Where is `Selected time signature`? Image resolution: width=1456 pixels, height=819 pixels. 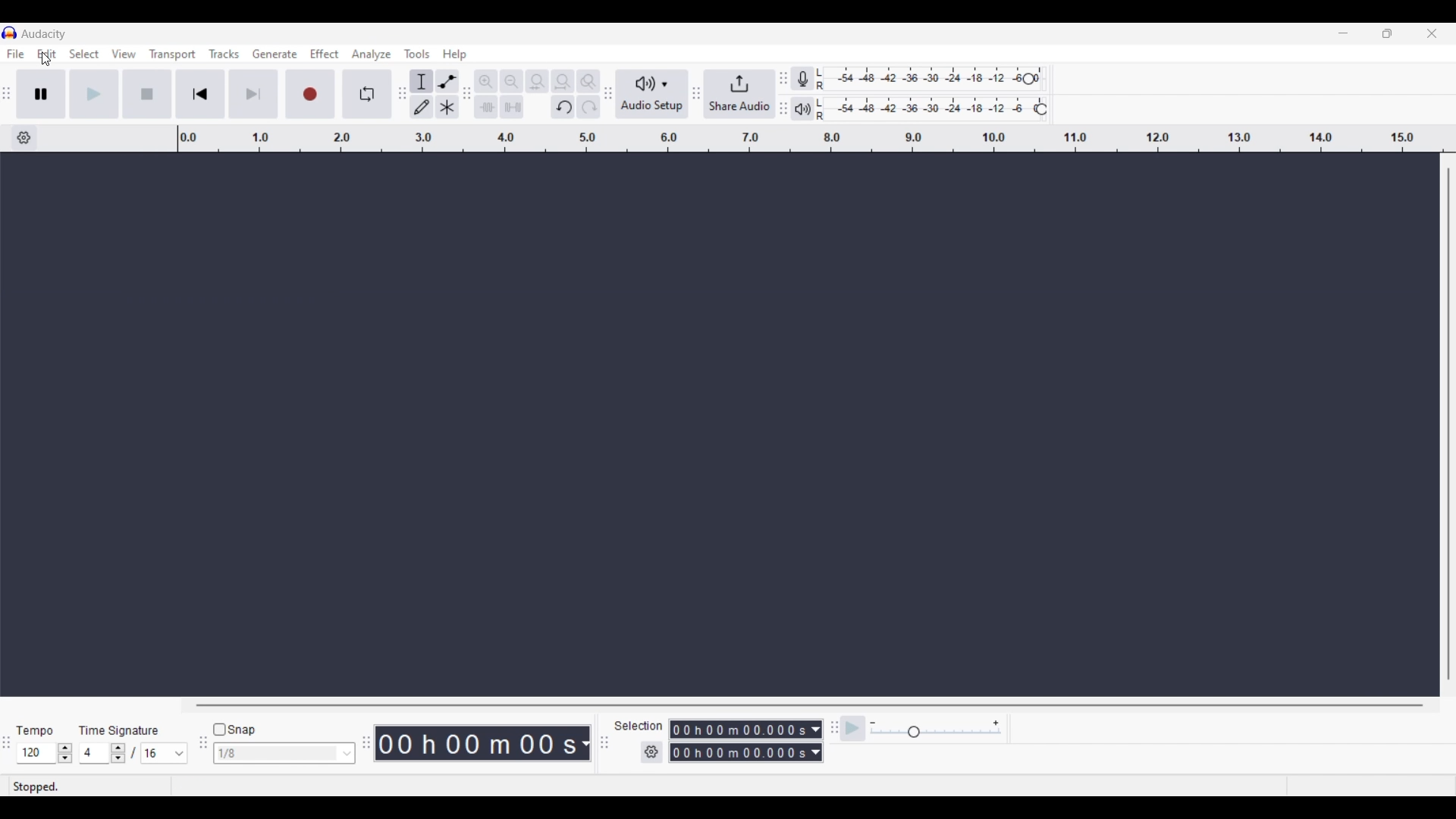
Selected time signature is located at coordinates (156, 754).